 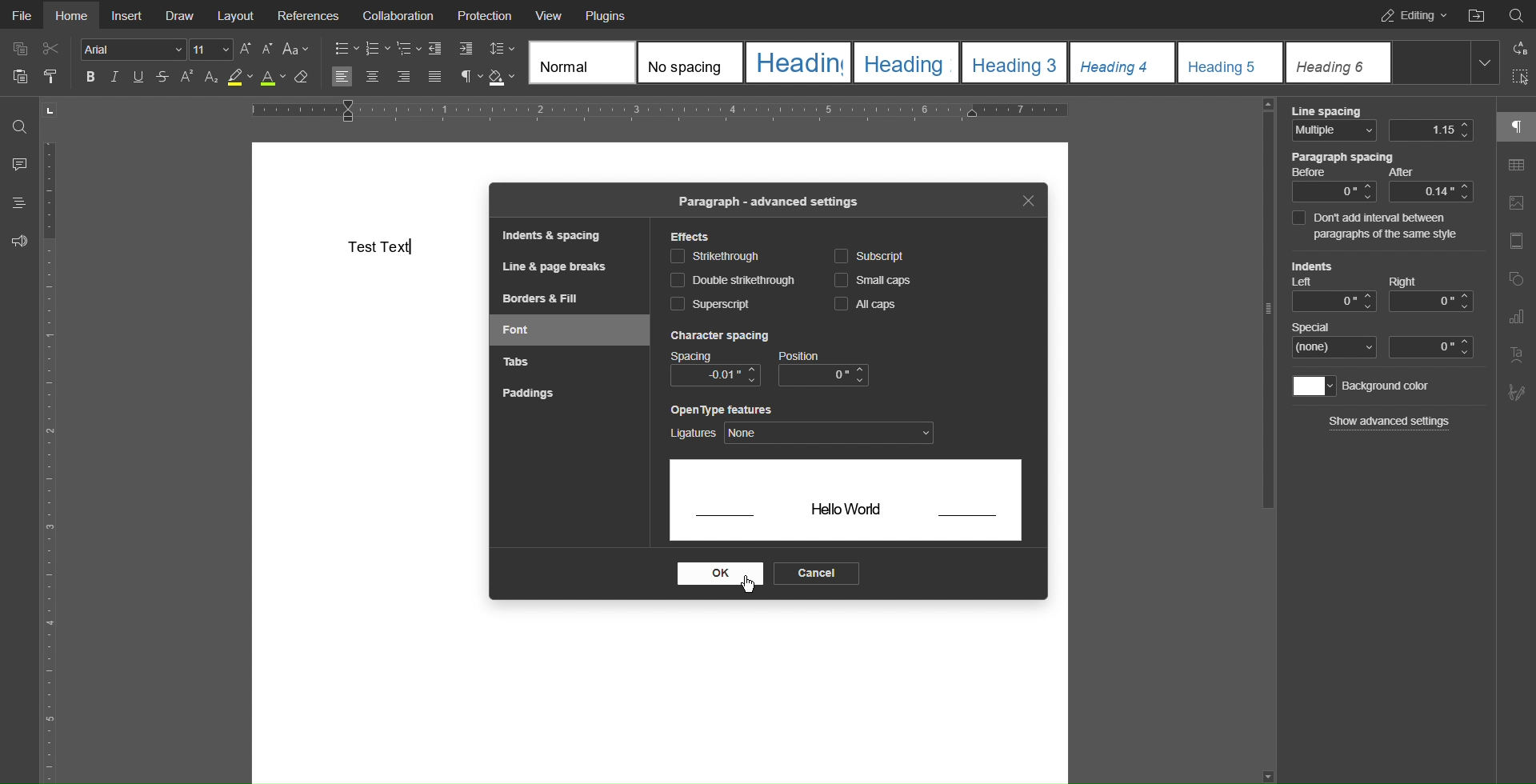 I want to click on Superscript, so click(x=711, y=304).